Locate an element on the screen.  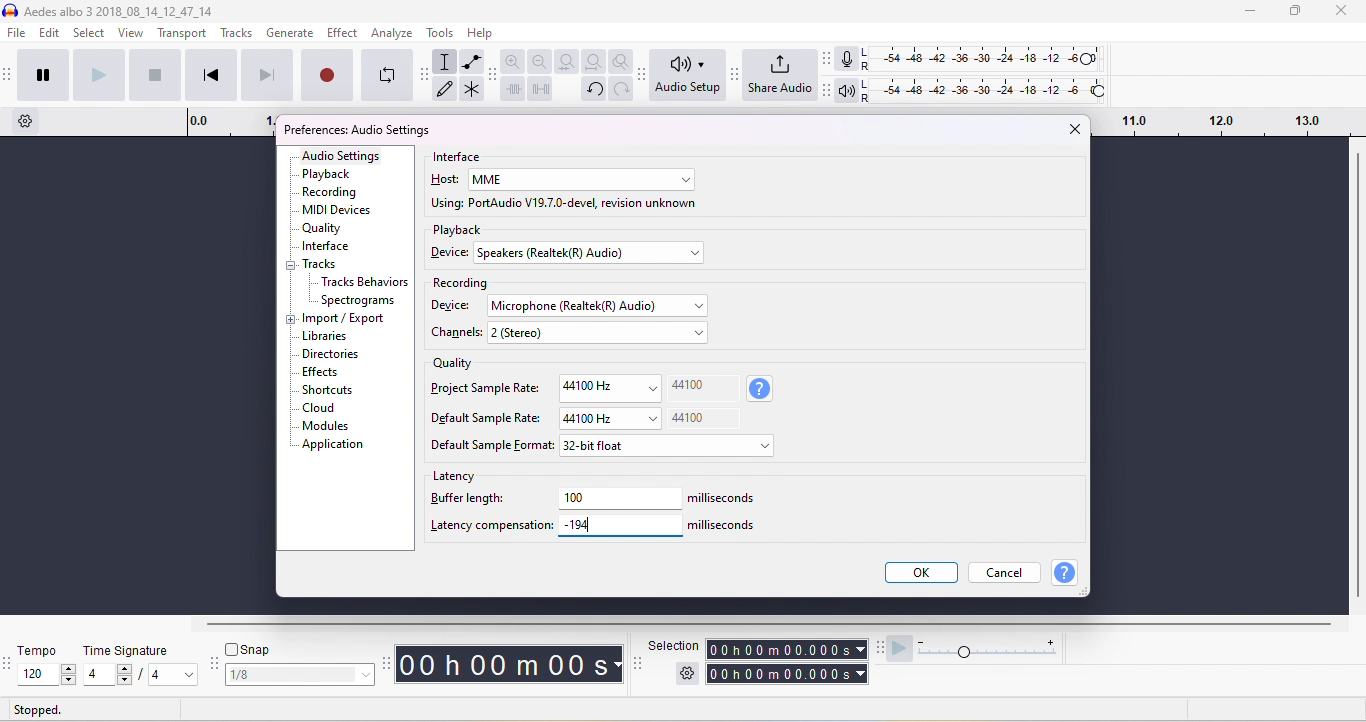
Audacity share audio toolbar is located at coordinates (736, 75).